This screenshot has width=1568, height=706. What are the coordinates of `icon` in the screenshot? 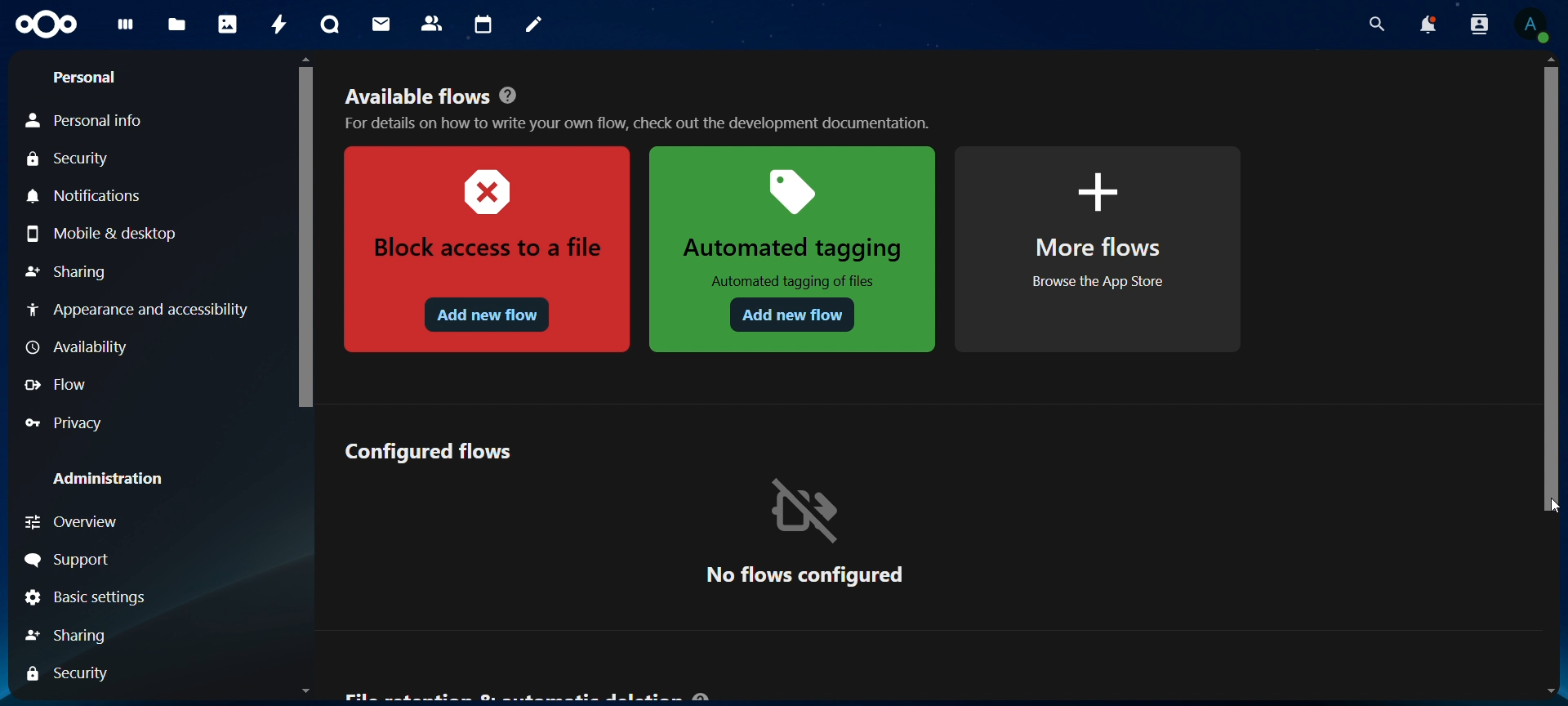 It's located at (48, 25).